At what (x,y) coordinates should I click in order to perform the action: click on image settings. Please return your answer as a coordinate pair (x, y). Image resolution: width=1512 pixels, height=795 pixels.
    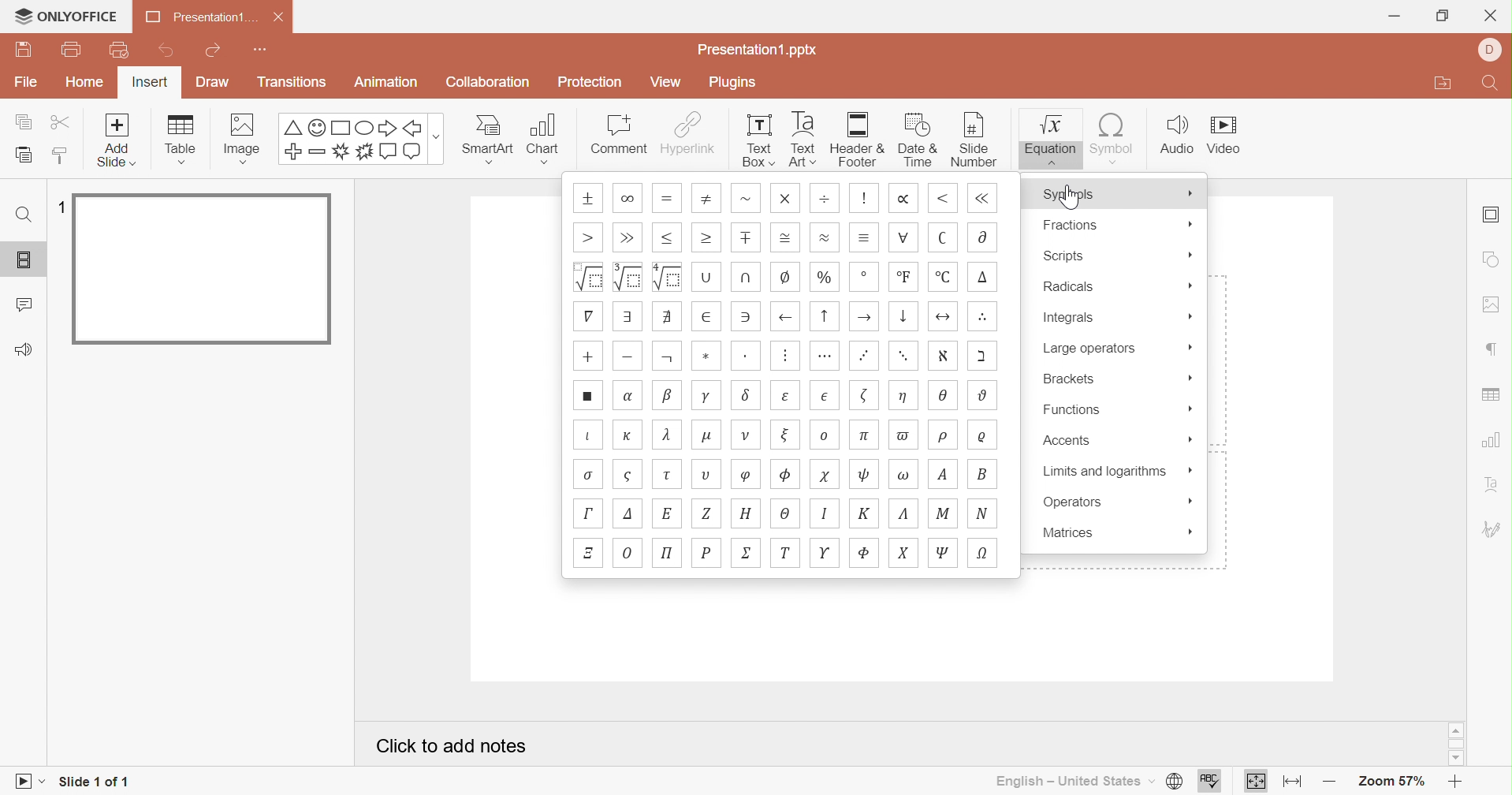
    Looking at the image, I should click on (1491, 303).